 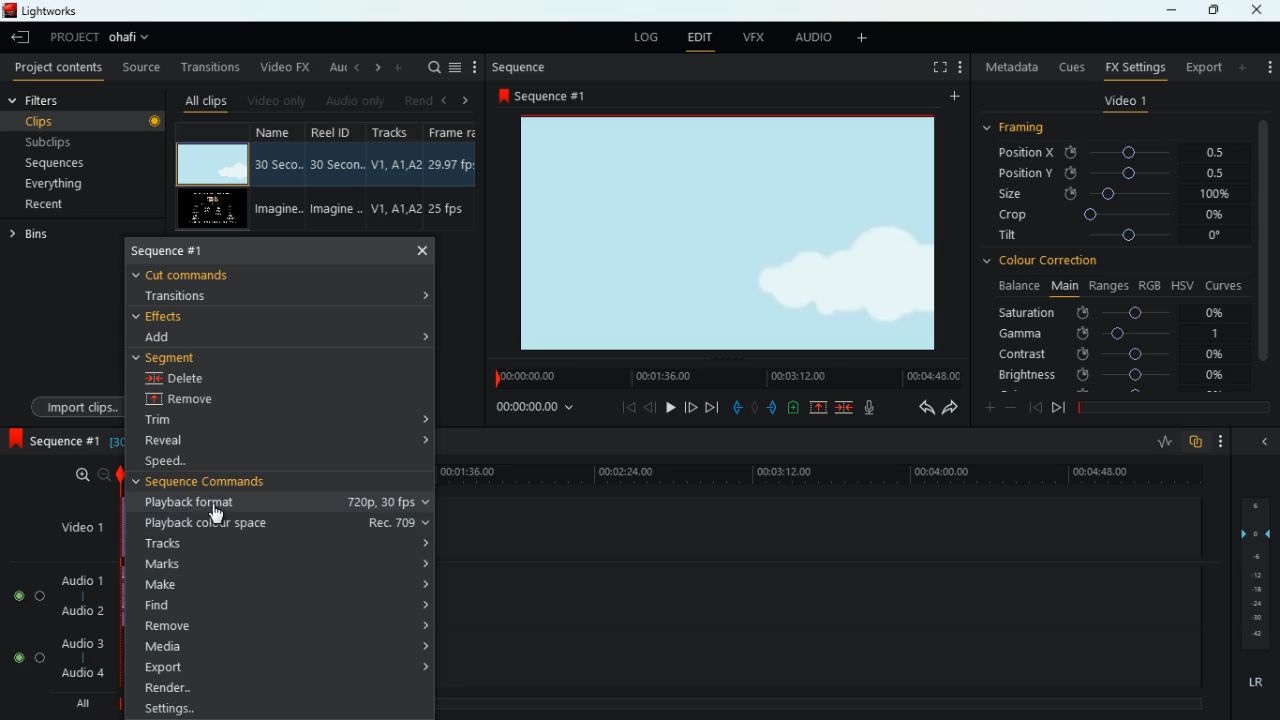 I want to click on gamma, so click(x=1123, y=335).